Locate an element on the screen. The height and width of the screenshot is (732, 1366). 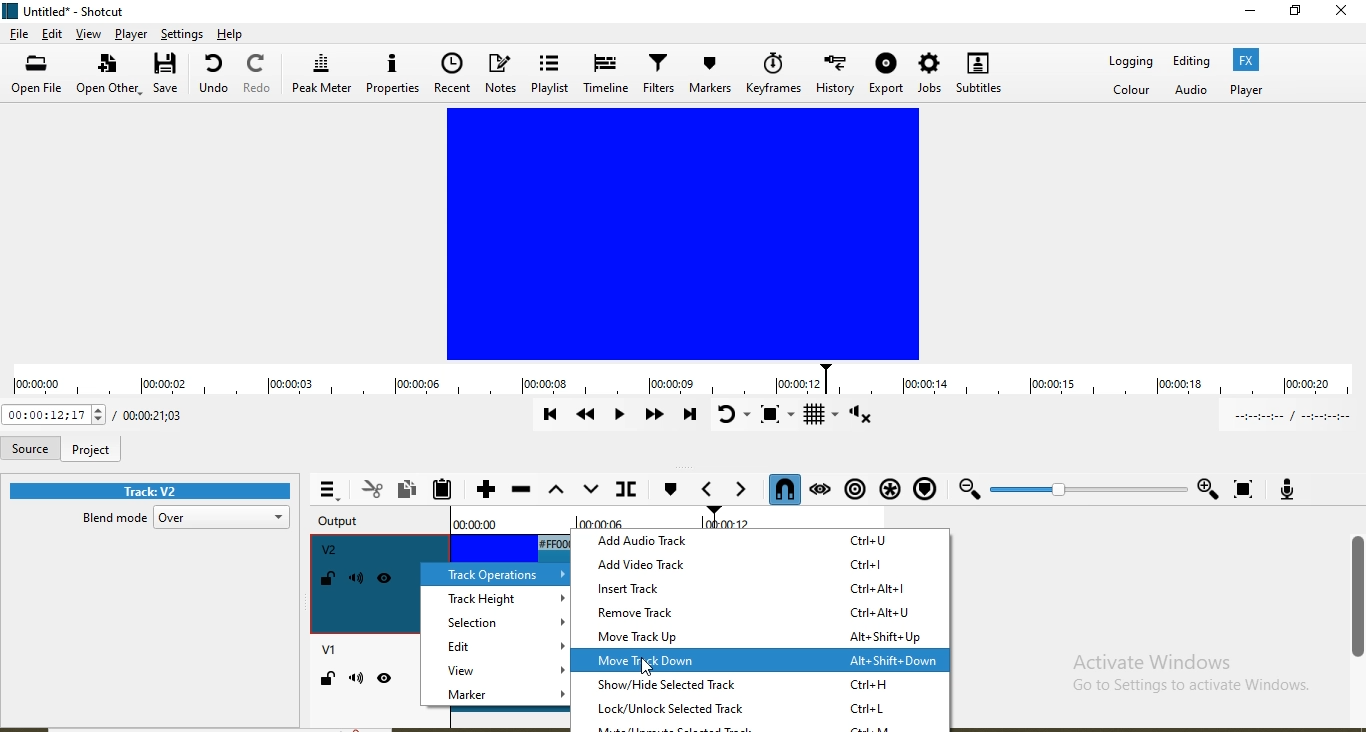
save is located at coordinates (170, 76).